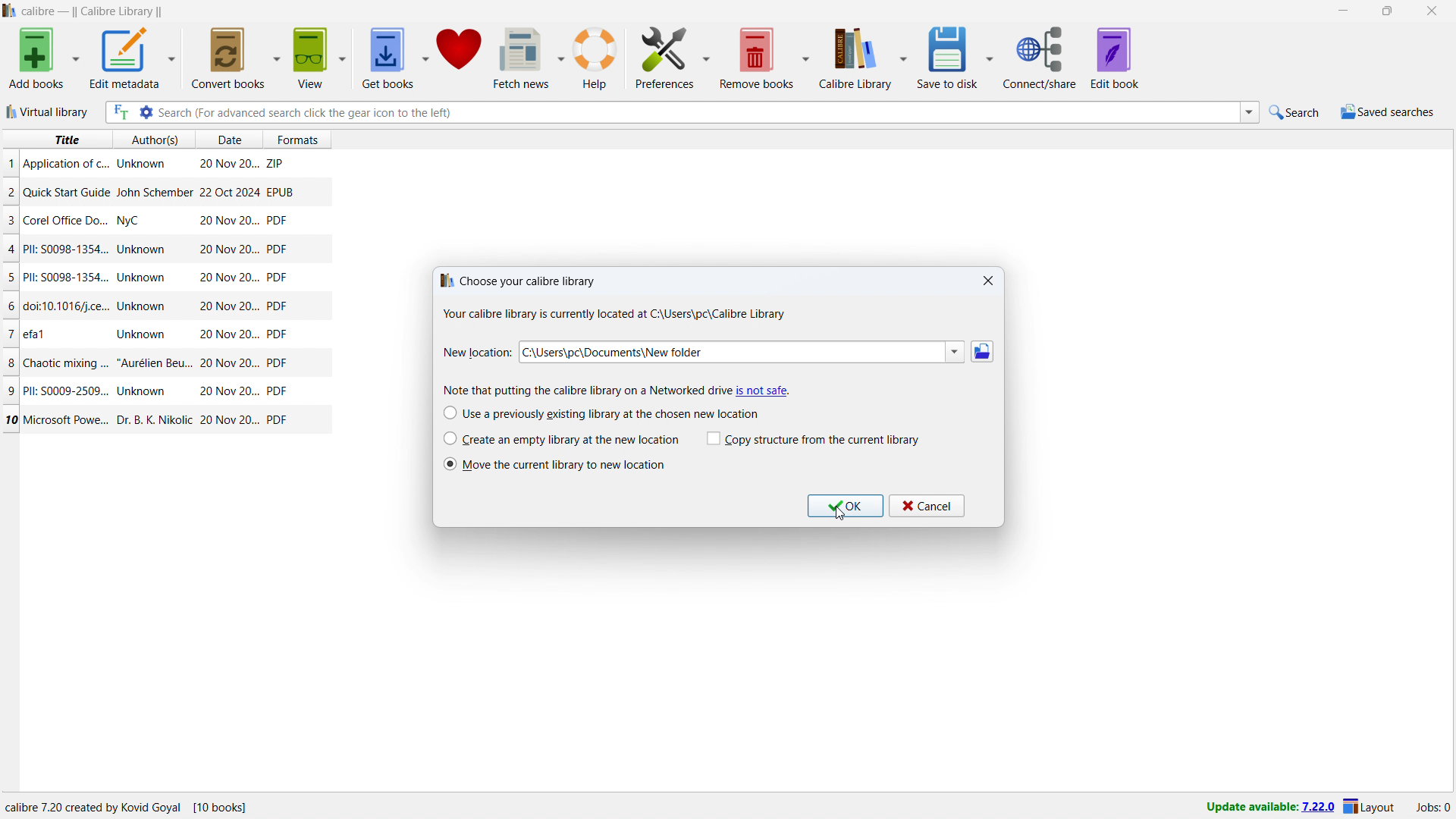 The height and width of the screenshot is (819, 1456). What do you see at coordinates (66, 362) in the screenshot?
I see `Title` at bounding box center [66, 362].